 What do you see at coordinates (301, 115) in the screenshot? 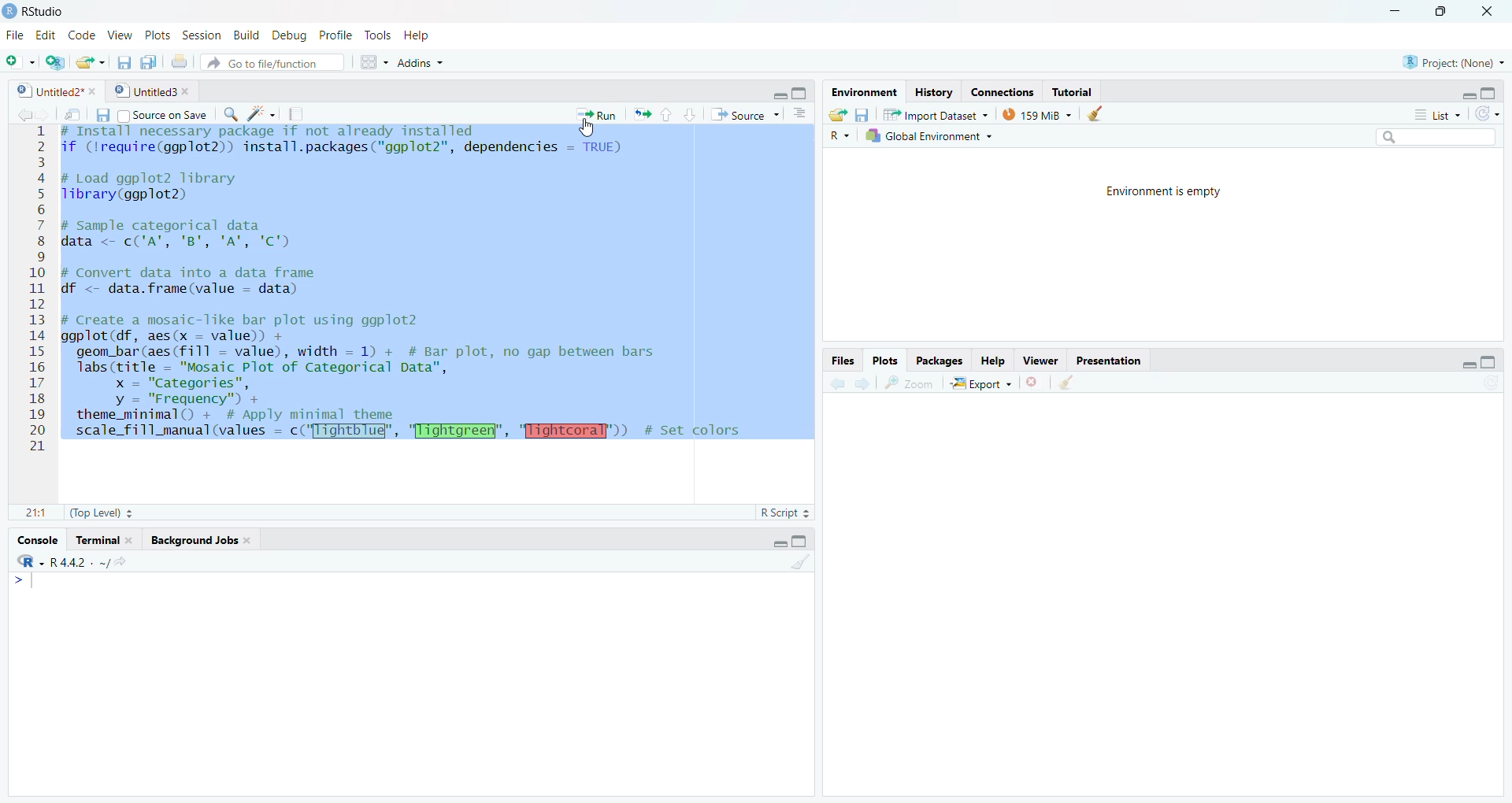
I see `Compile Report` at bounding box center [301, 115].